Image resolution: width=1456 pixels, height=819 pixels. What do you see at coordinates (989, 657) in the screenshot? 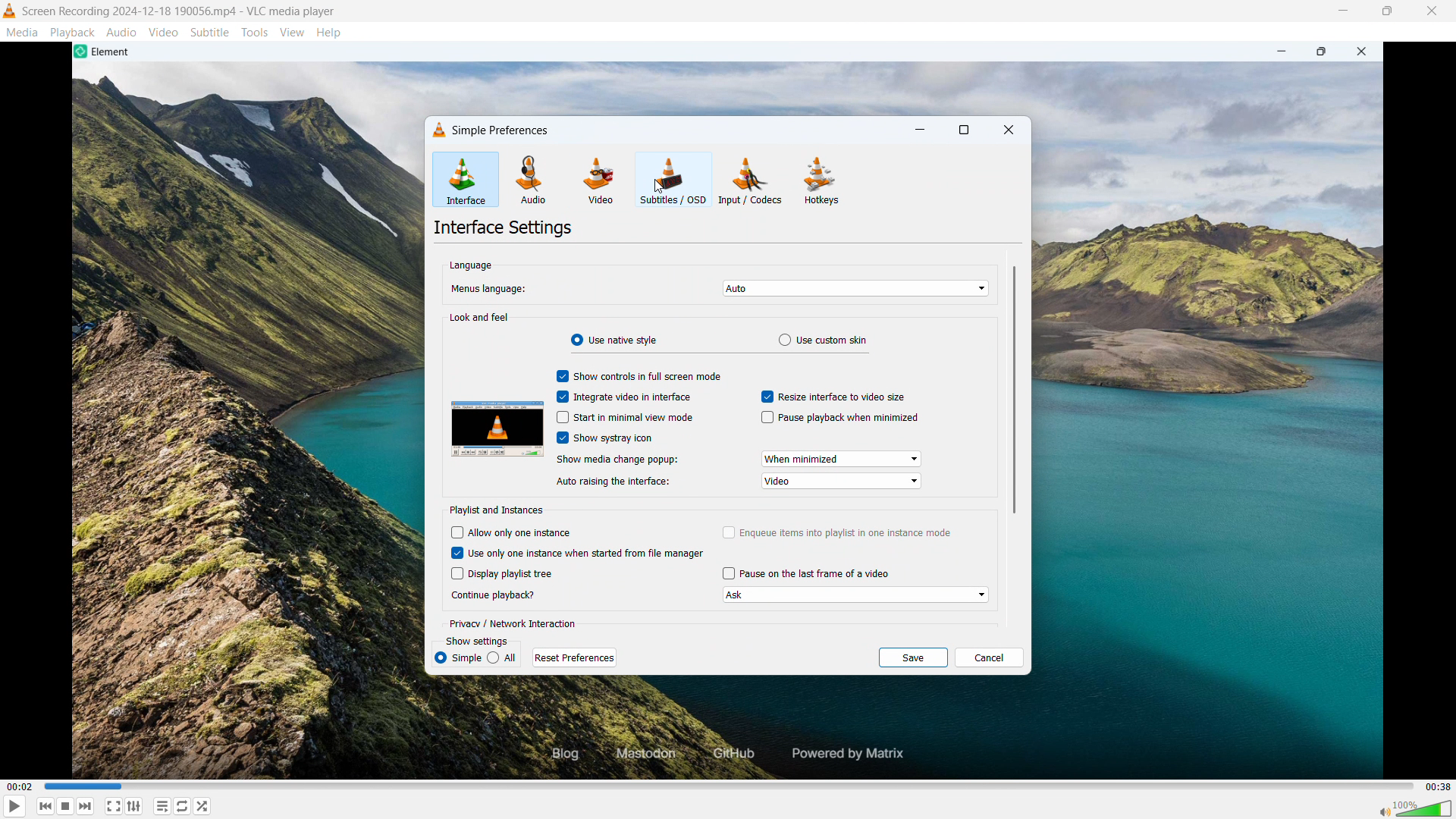
I see `Cancel ` at bounding box center [989, 657].